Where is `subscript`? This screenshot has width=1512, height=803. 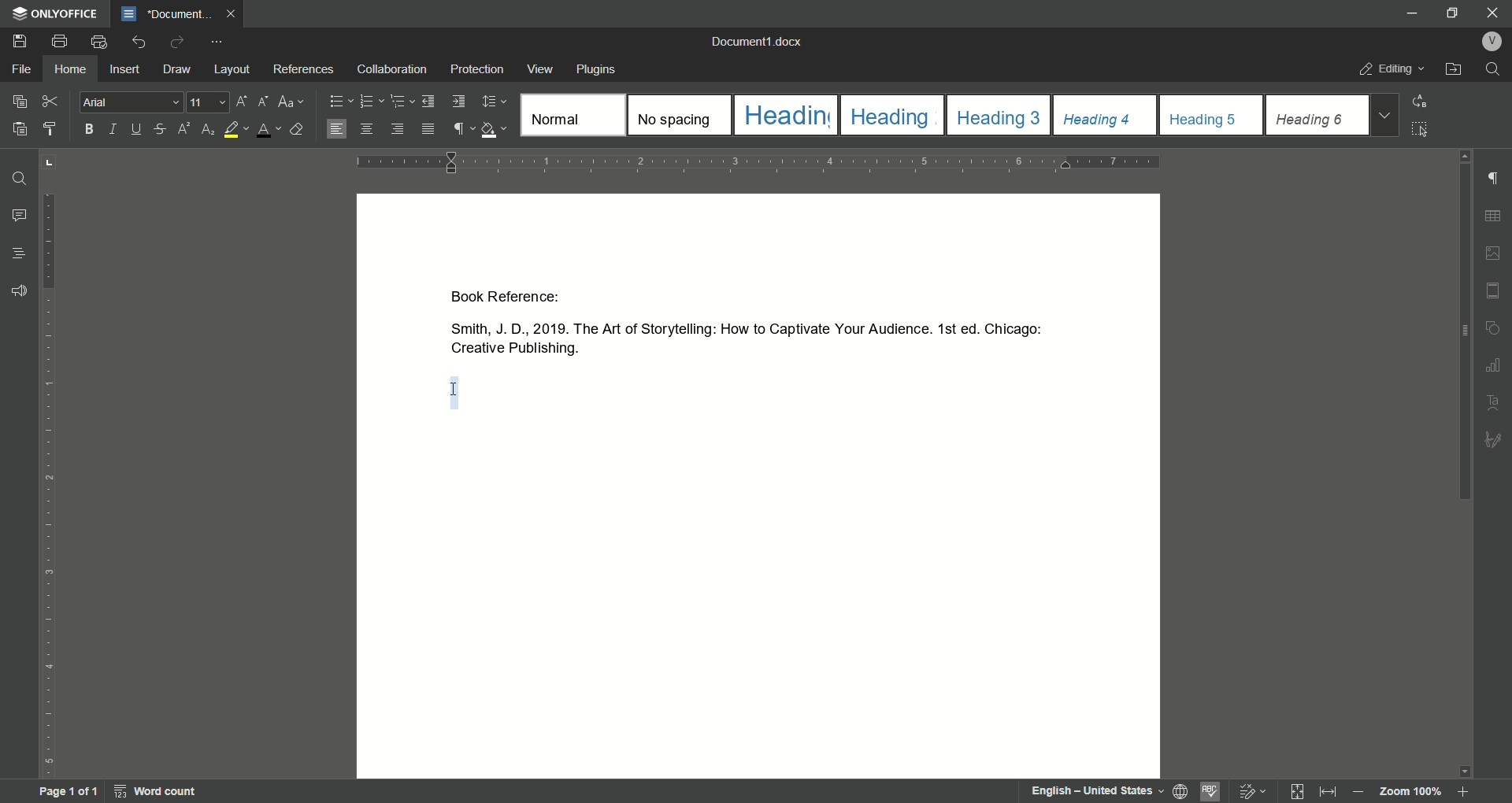 subscript is located at coordinates (207, 130).